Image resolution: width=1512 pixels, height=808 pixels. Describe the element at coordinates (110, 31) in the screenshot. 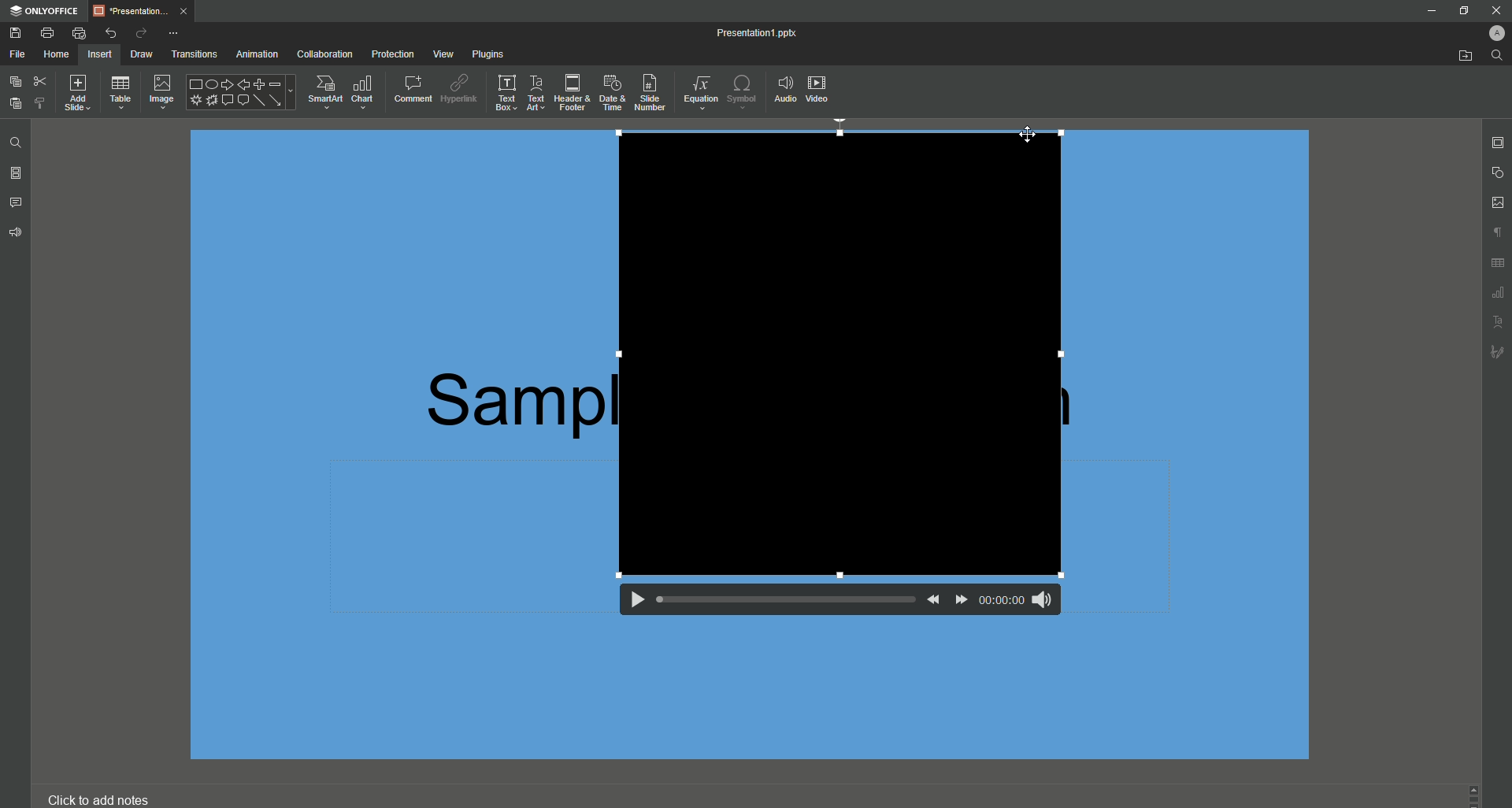

I see `Undo` at that location.